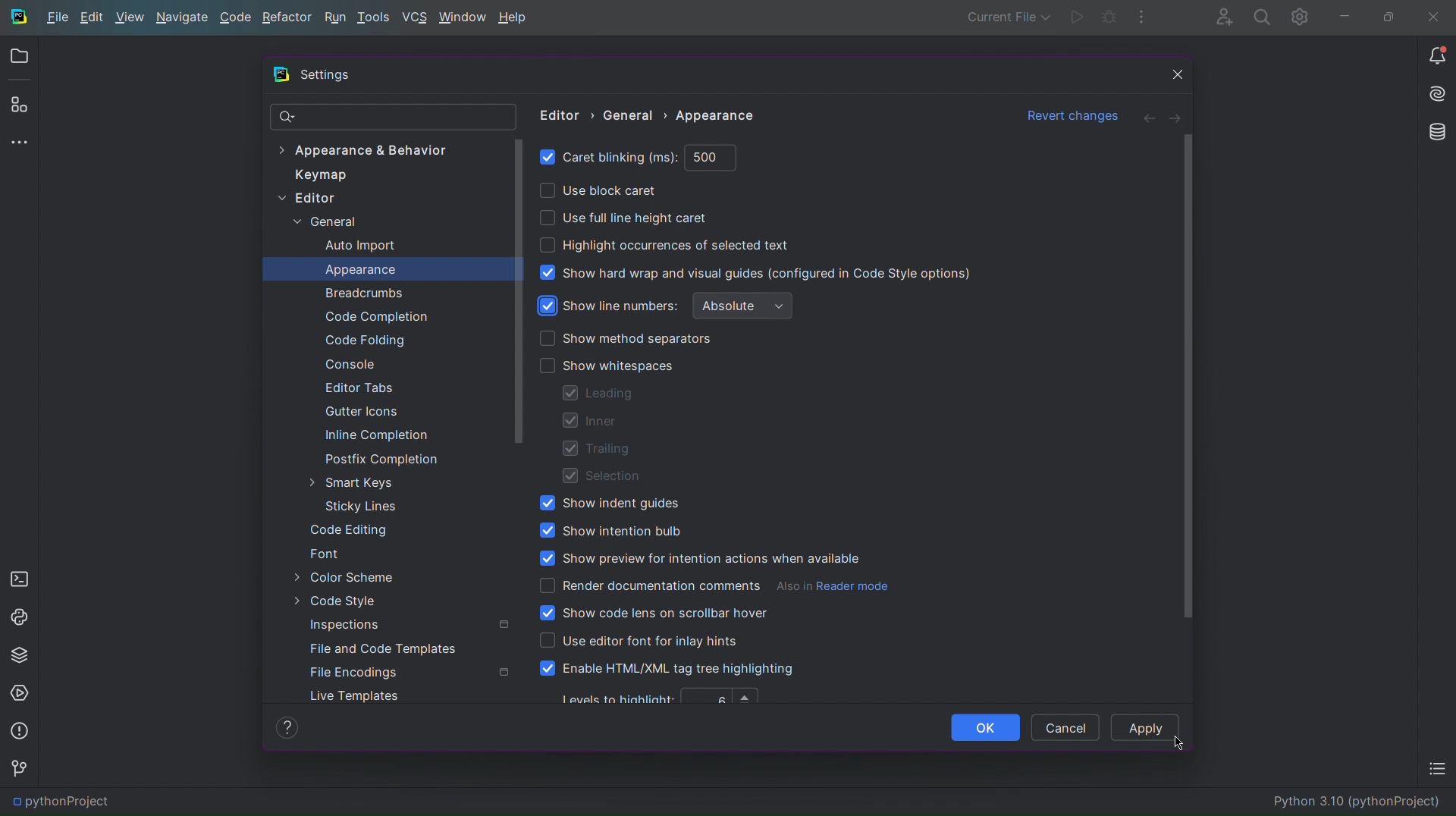 The width and height of the screenshot is (1456, 816). What do you see at coordinates (1173, 75) in the screenshot?
I see `Close` at bounding box center [1173, 75].